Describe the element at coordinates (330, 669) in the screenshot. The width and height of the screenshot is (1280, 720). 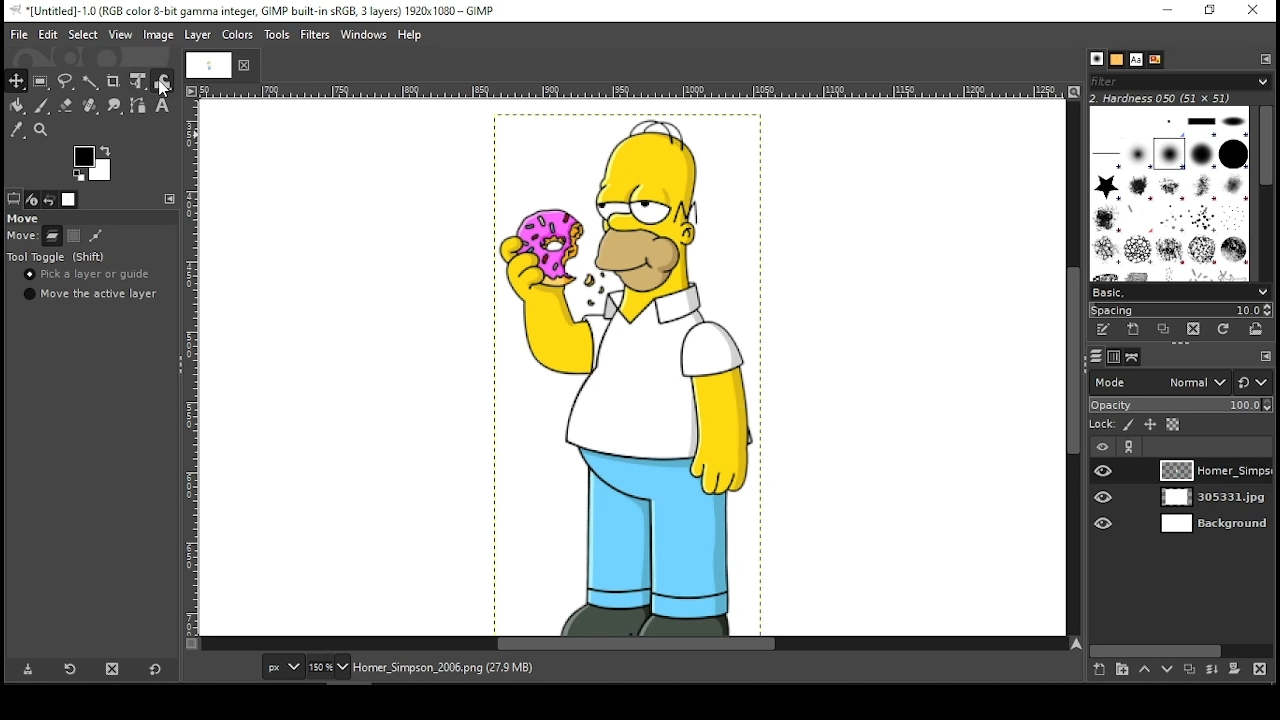
I see `zoom level` at that location.